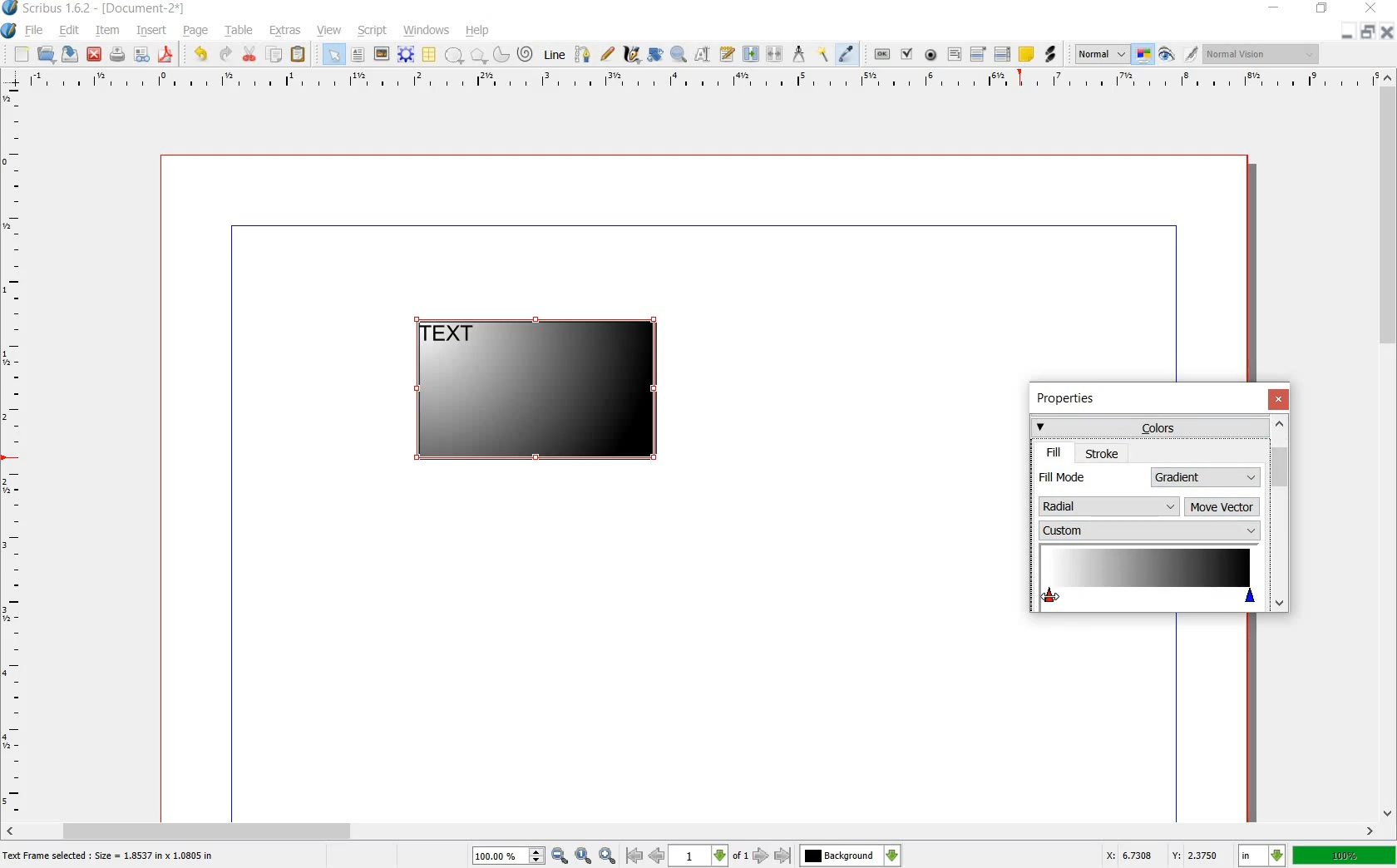 The width and height of the screenshot is (1397, 868). I want to click on copy item properties, so click(824, 53).